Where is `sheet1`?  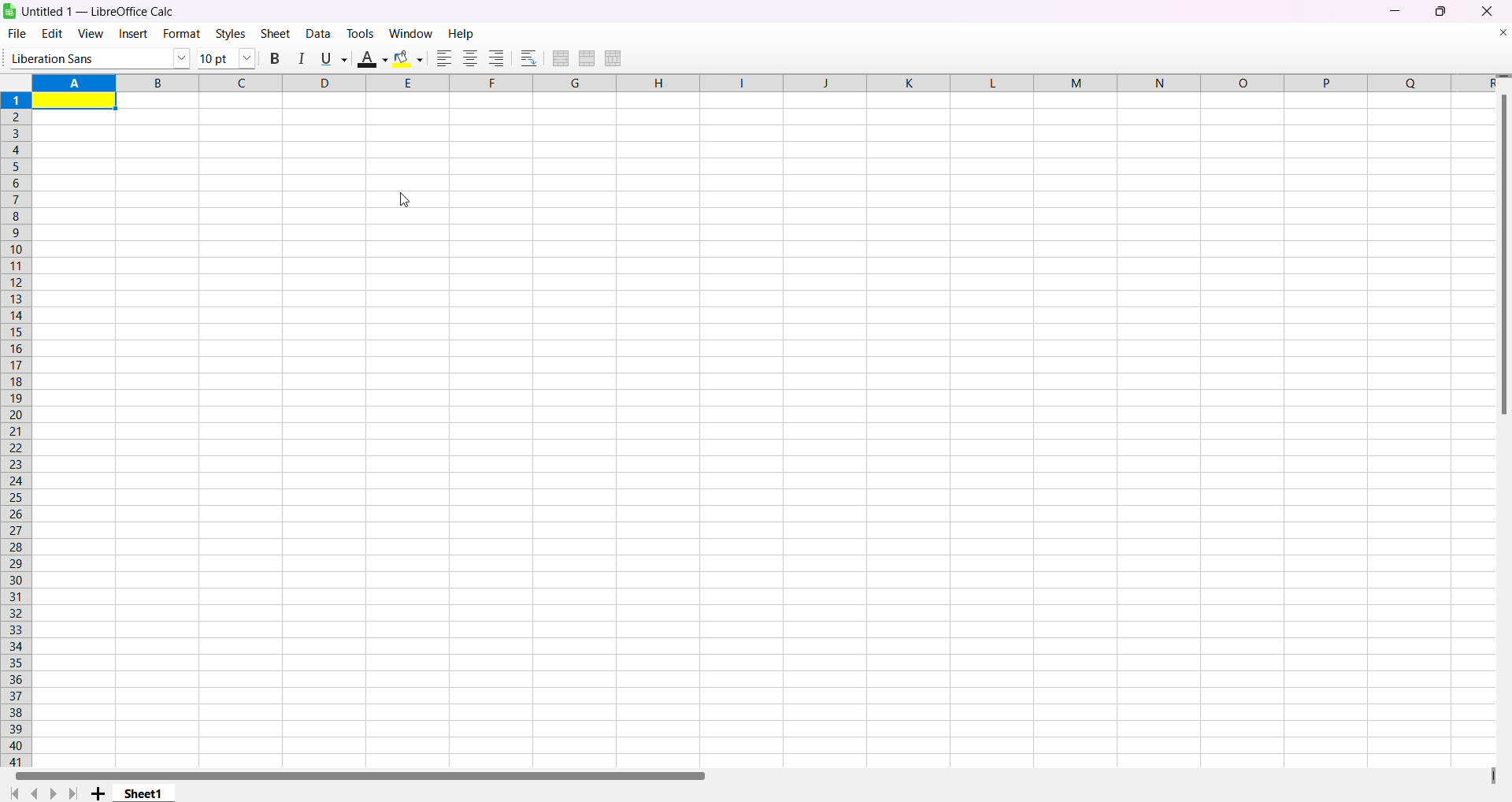
sheet1 is located at coordinates (146, 794).